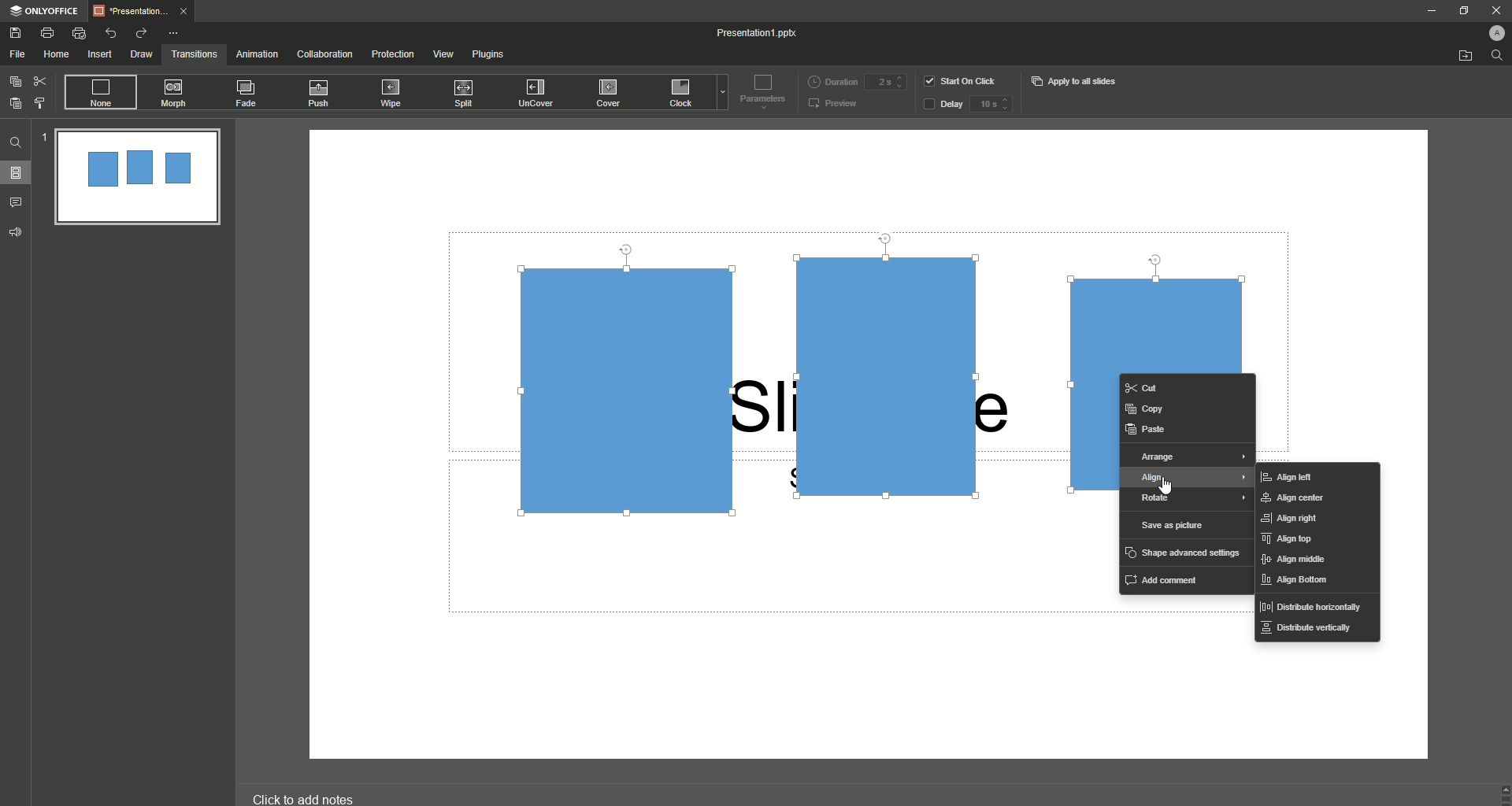 The image size is (1512, 806). Describe the element at coordinates (1311, 608) in the screenshot. I see `Distribute horizontally` at that location.